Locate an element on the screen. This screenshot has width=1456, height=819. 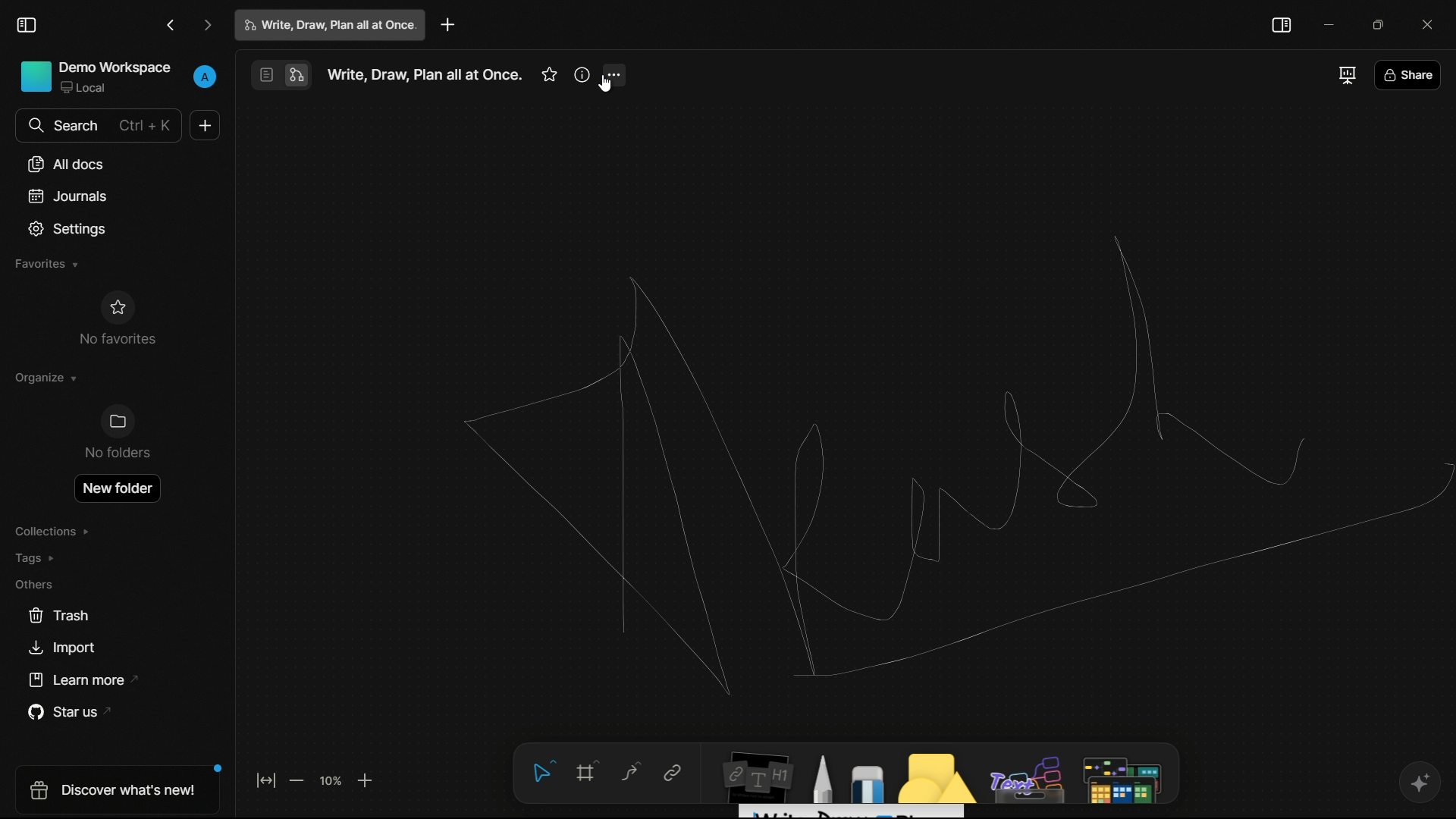
trash is located at coordinates (58, 616).